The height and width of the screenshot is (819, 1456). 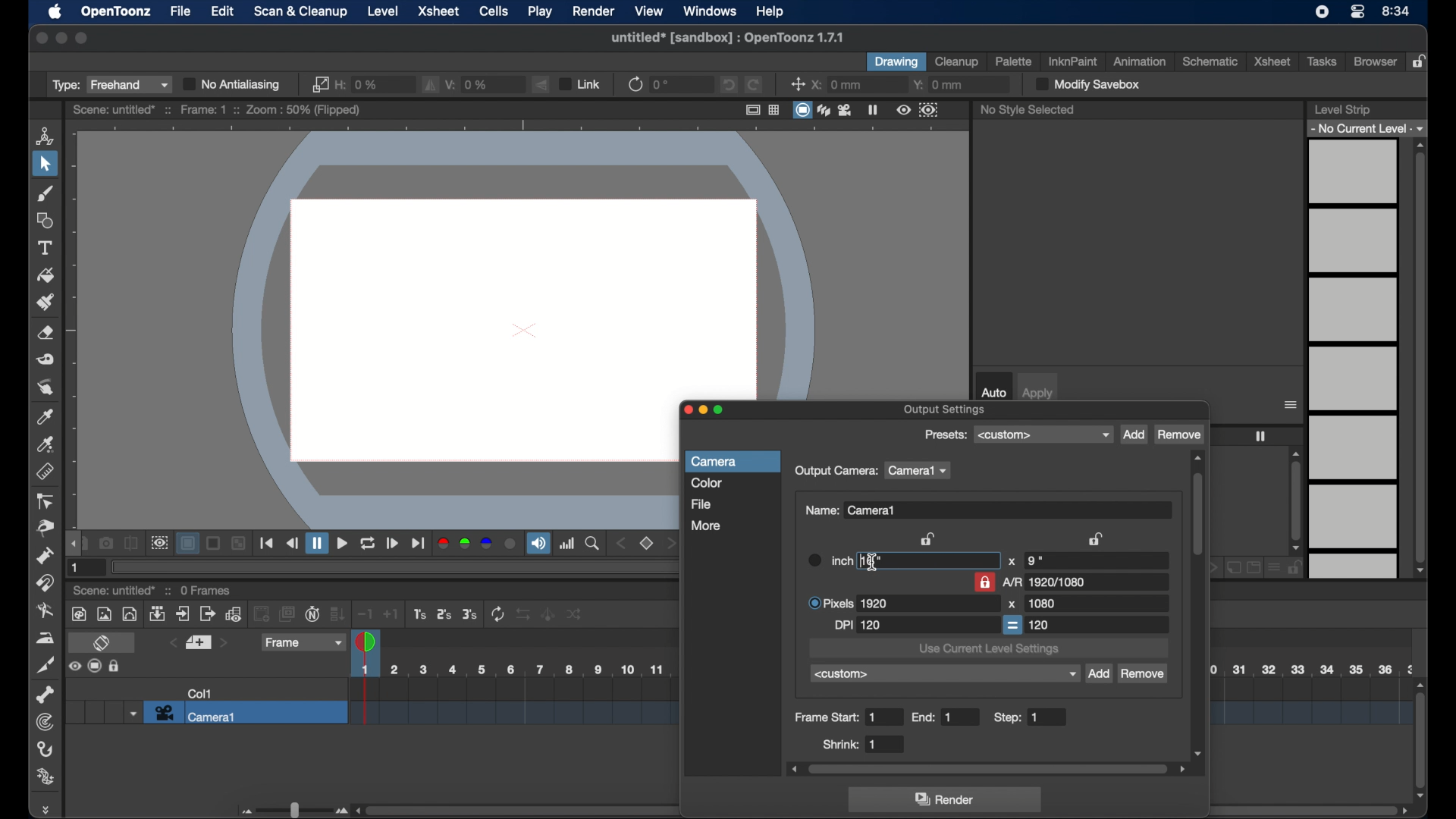 I want to click on freeze, so click(x=1260, y=436).